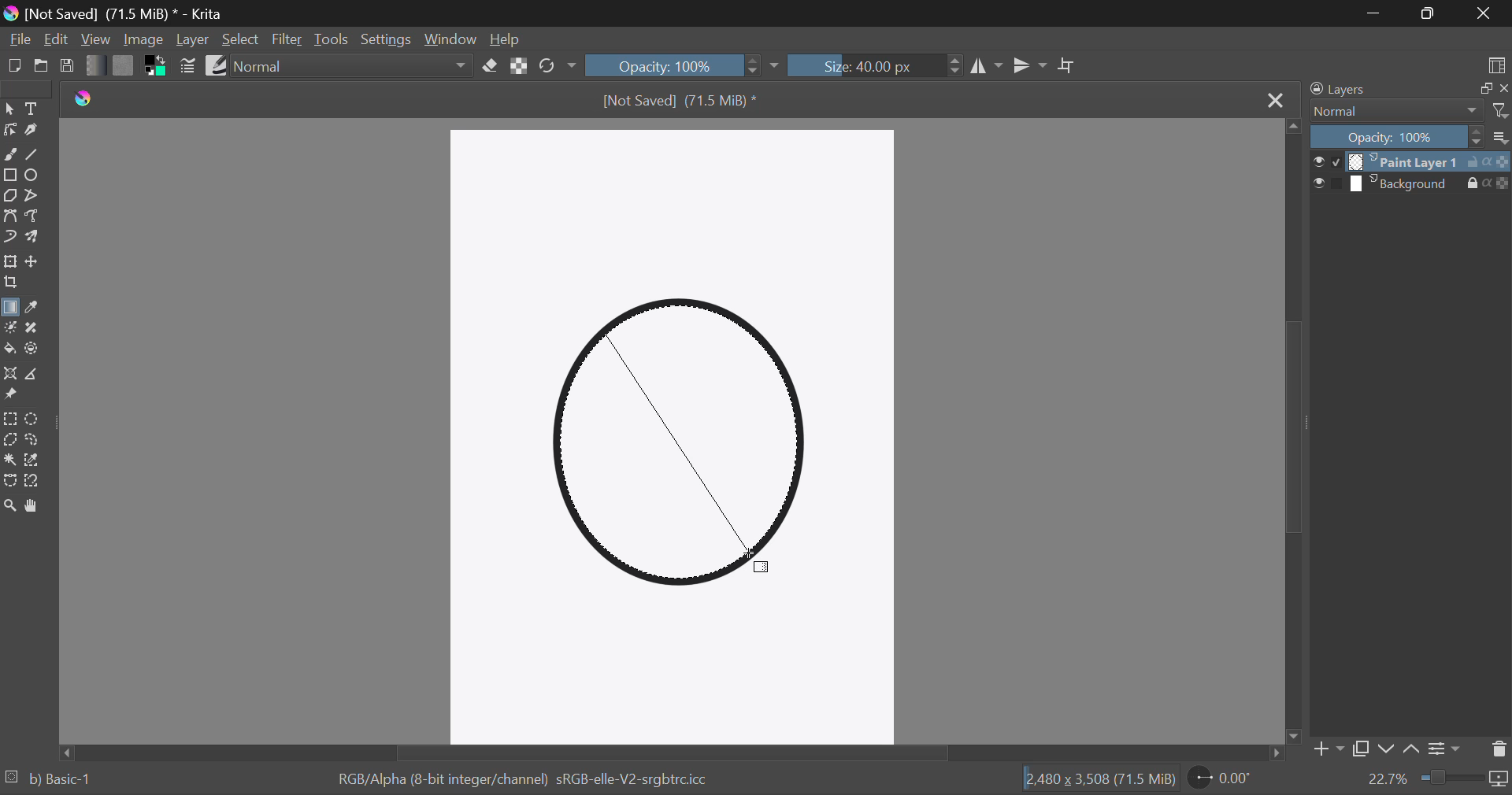 Image resolution: width=1512 pixels, height=795 pixels. What do you see at coordinates (14, 15) in the screenshot?
I see `logo` at bounding box center [14, 15].